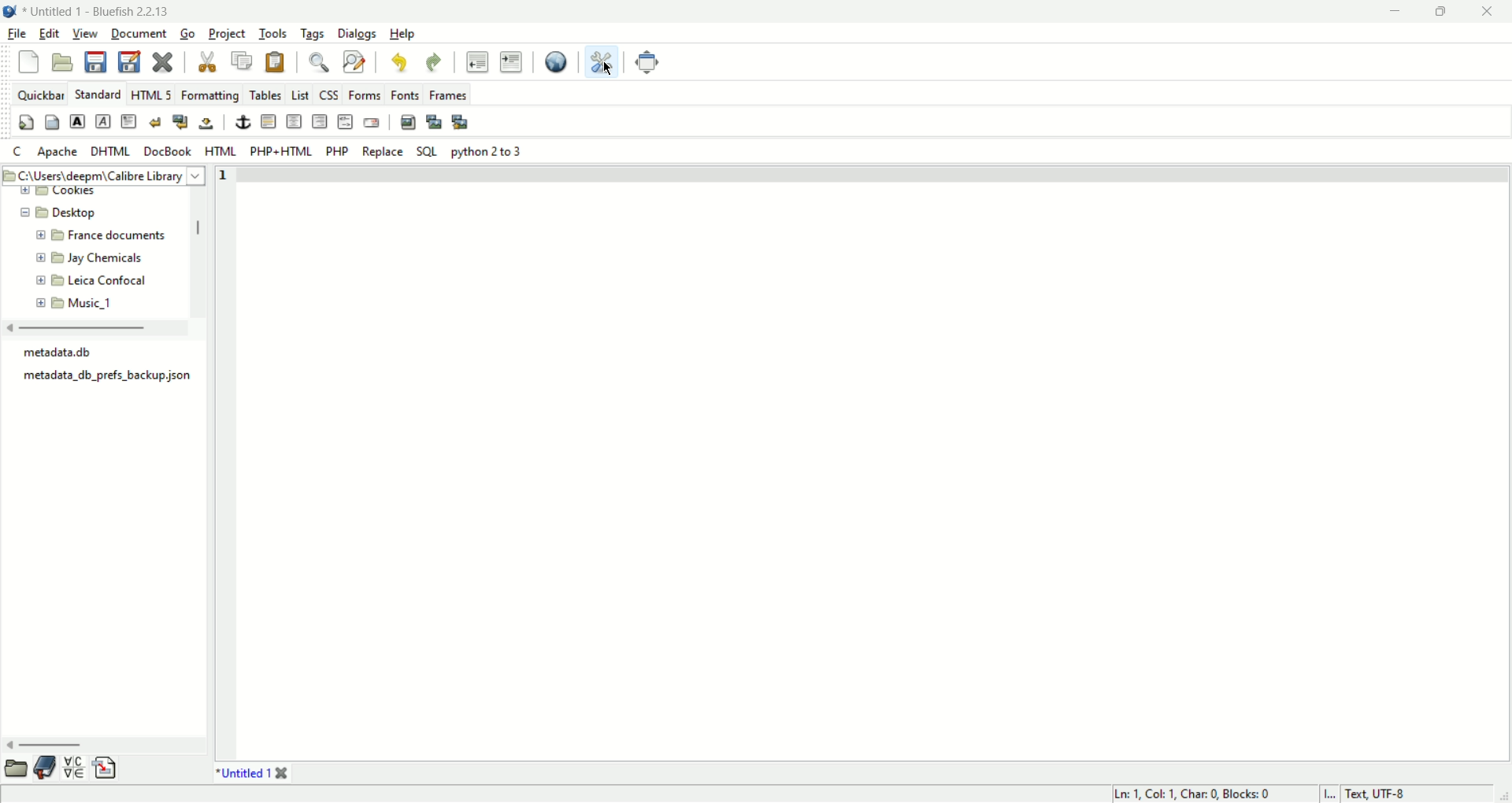 This screenshot has height=803, width=1512. What do you see at coordinates (182, 123) in the screenshot?
I see `break and clear` at bounding box center [182, 123].